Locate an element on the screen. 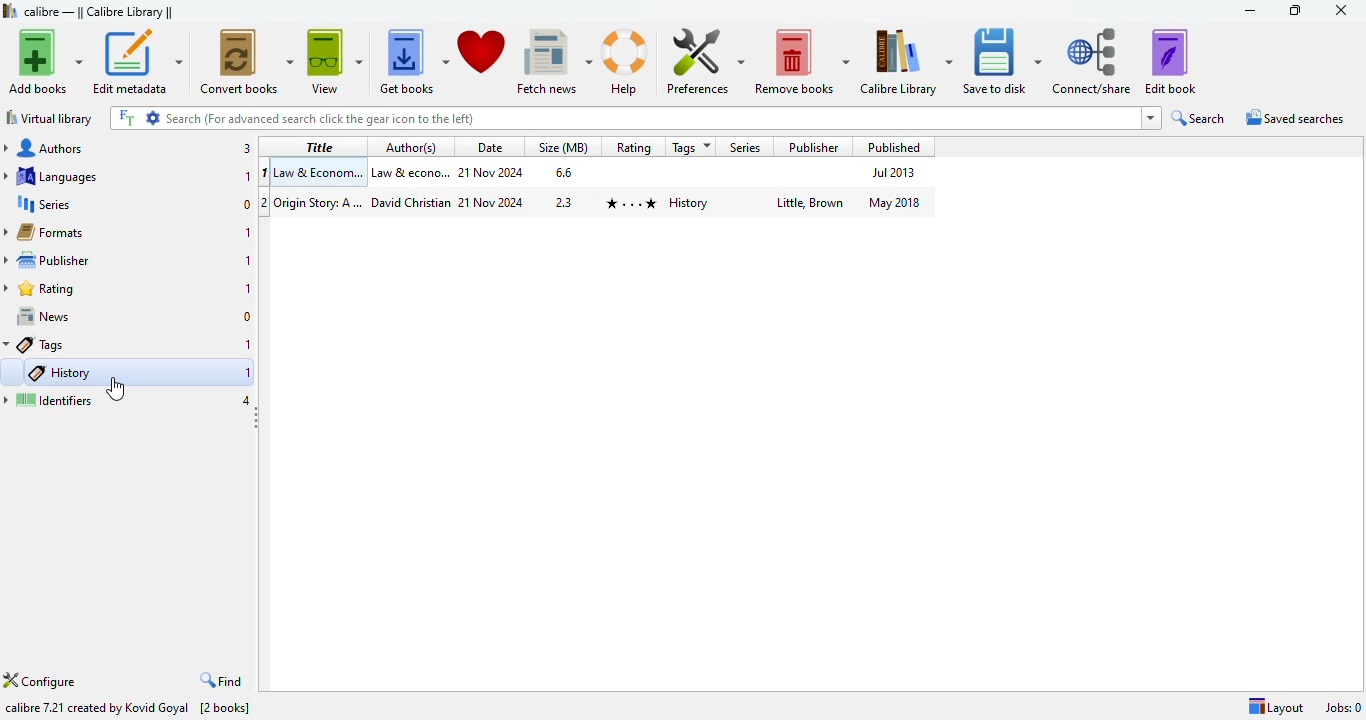 Image resolution: width=1366 pixels, height=720 pixels. 1 is located at coordinates (251, 261).